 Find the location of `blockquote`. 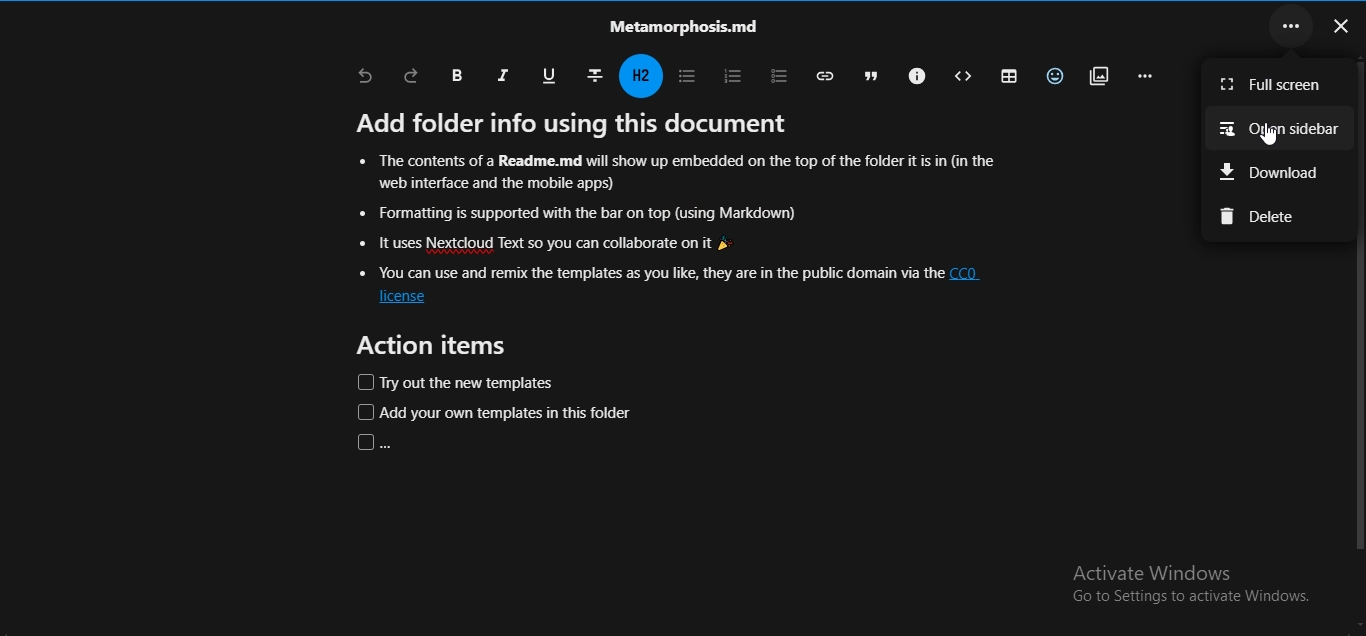

blockquote is located at coordinates (869, 75).